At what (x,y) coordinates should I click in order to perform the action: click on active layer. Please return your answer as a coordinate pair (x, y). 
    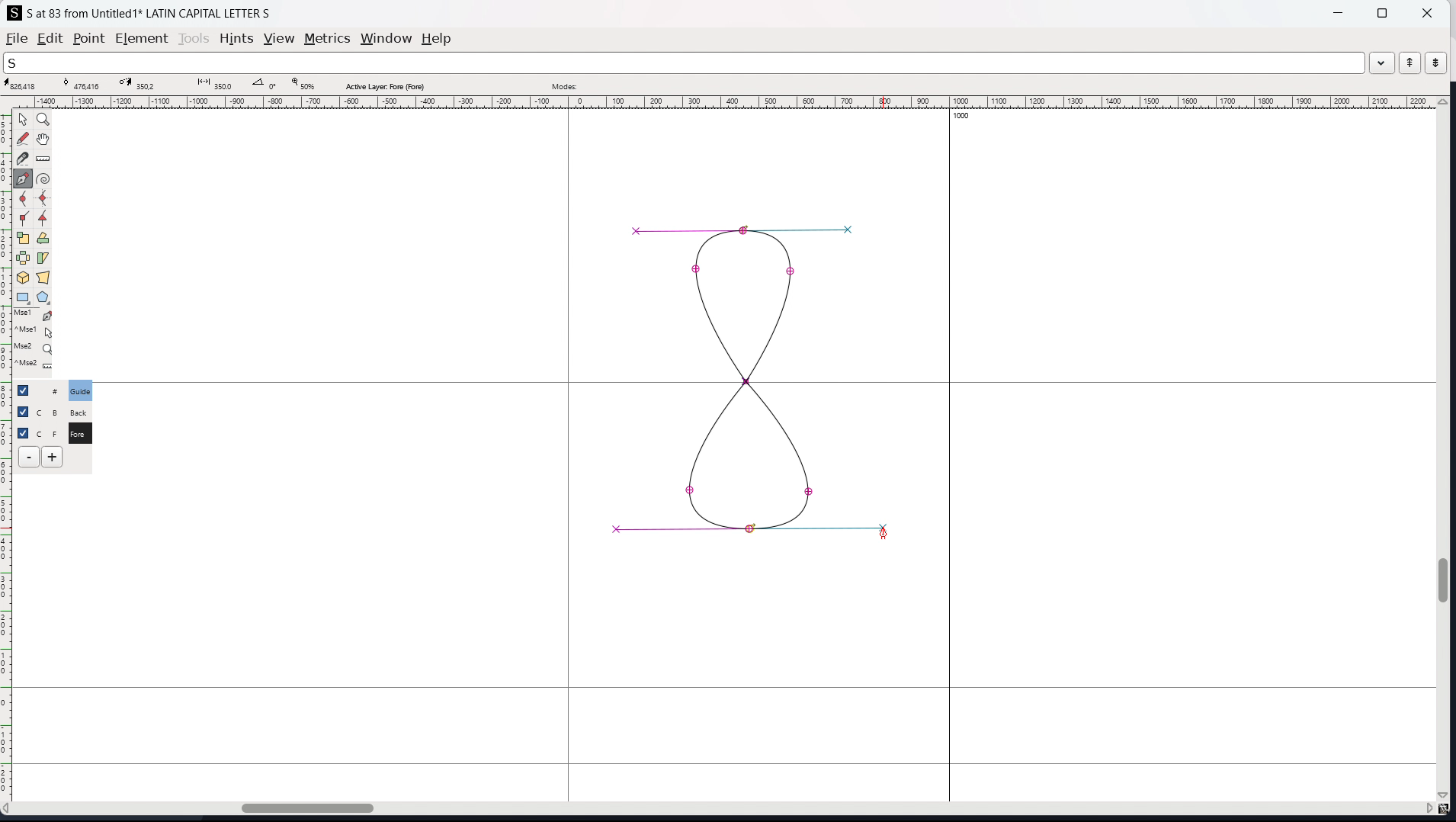
    Looking at the image, I should click on (384, 86).